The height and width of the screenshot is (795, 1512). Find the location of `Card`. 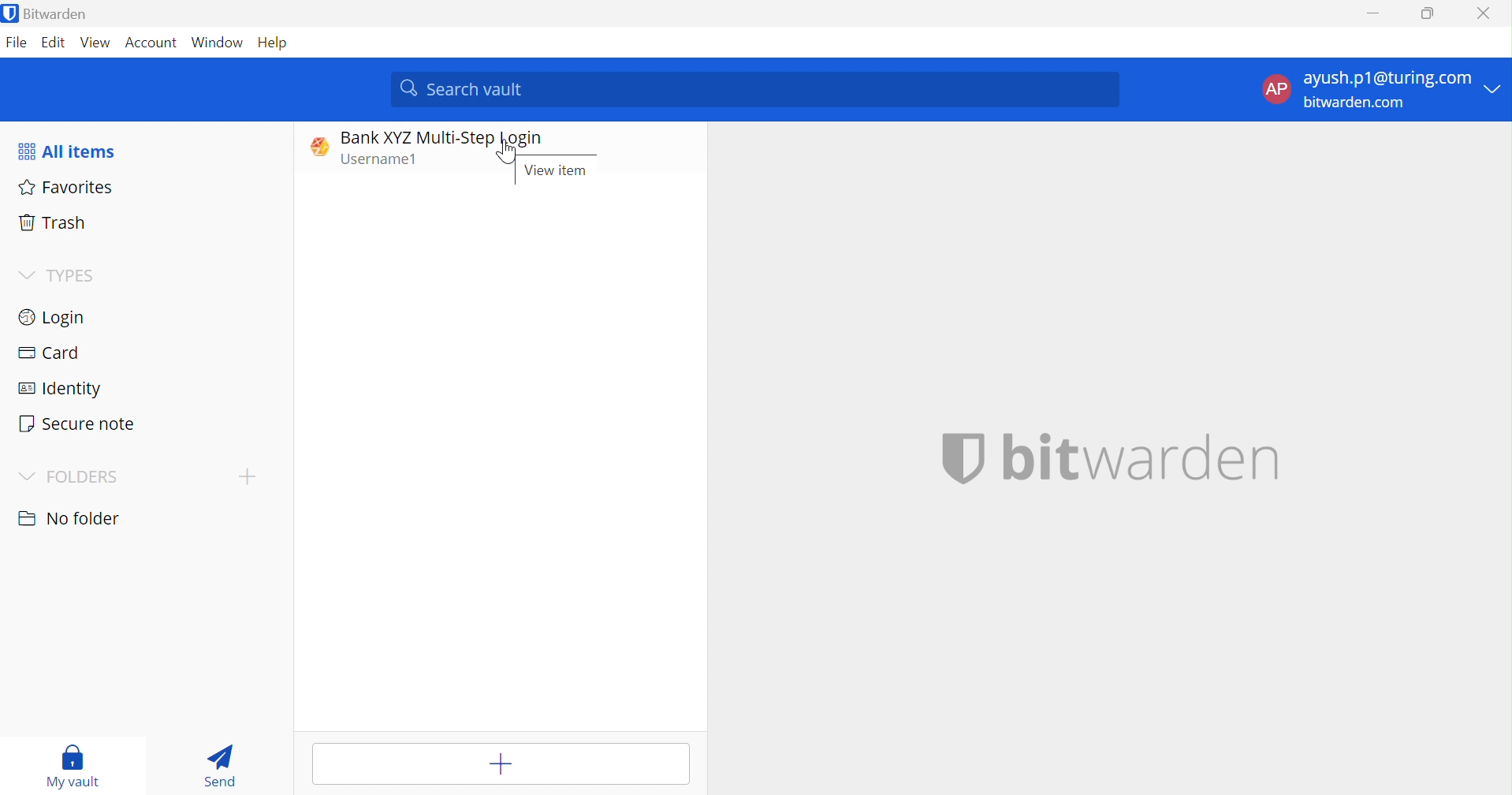

Card is located at coordinates (48, 352).